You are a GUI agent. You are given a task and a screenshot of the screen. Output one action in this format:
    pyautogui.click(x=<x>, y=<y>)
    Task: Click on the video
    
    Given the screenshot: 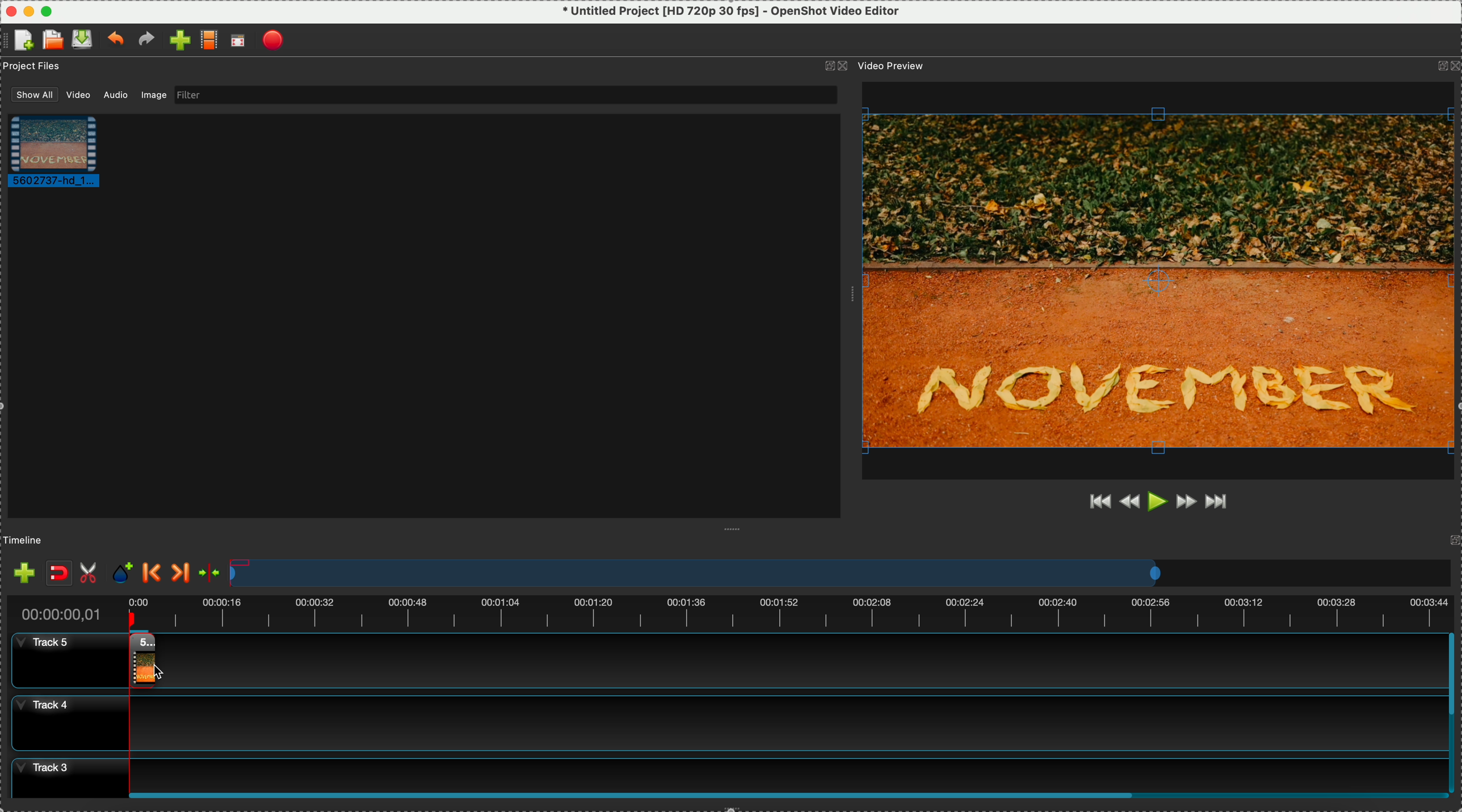 What is the action you would take?
    pyautogui.click(x=61, y=154)
    